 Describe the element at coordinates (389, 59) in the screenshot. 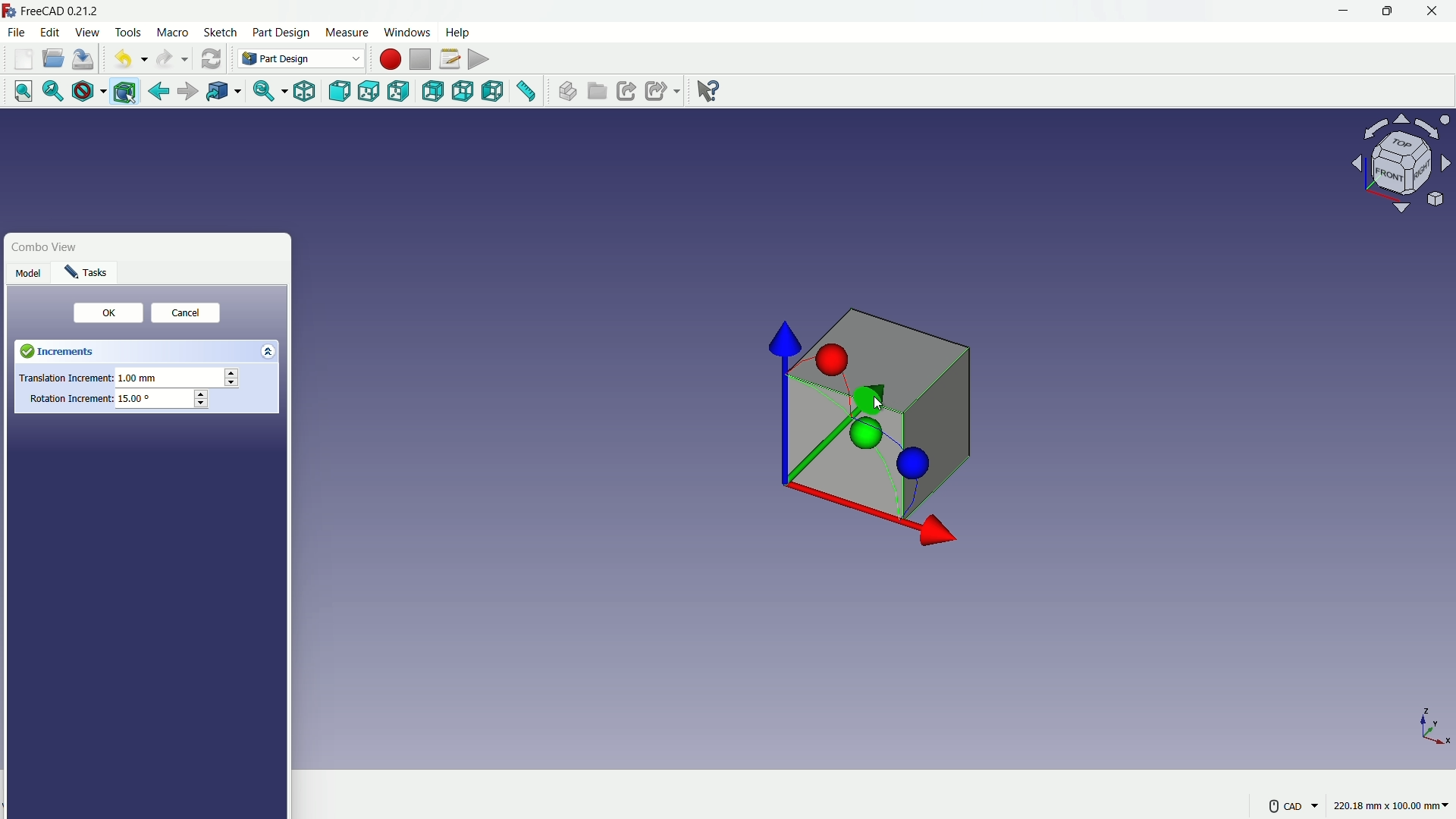

I see `start macros` at that location.